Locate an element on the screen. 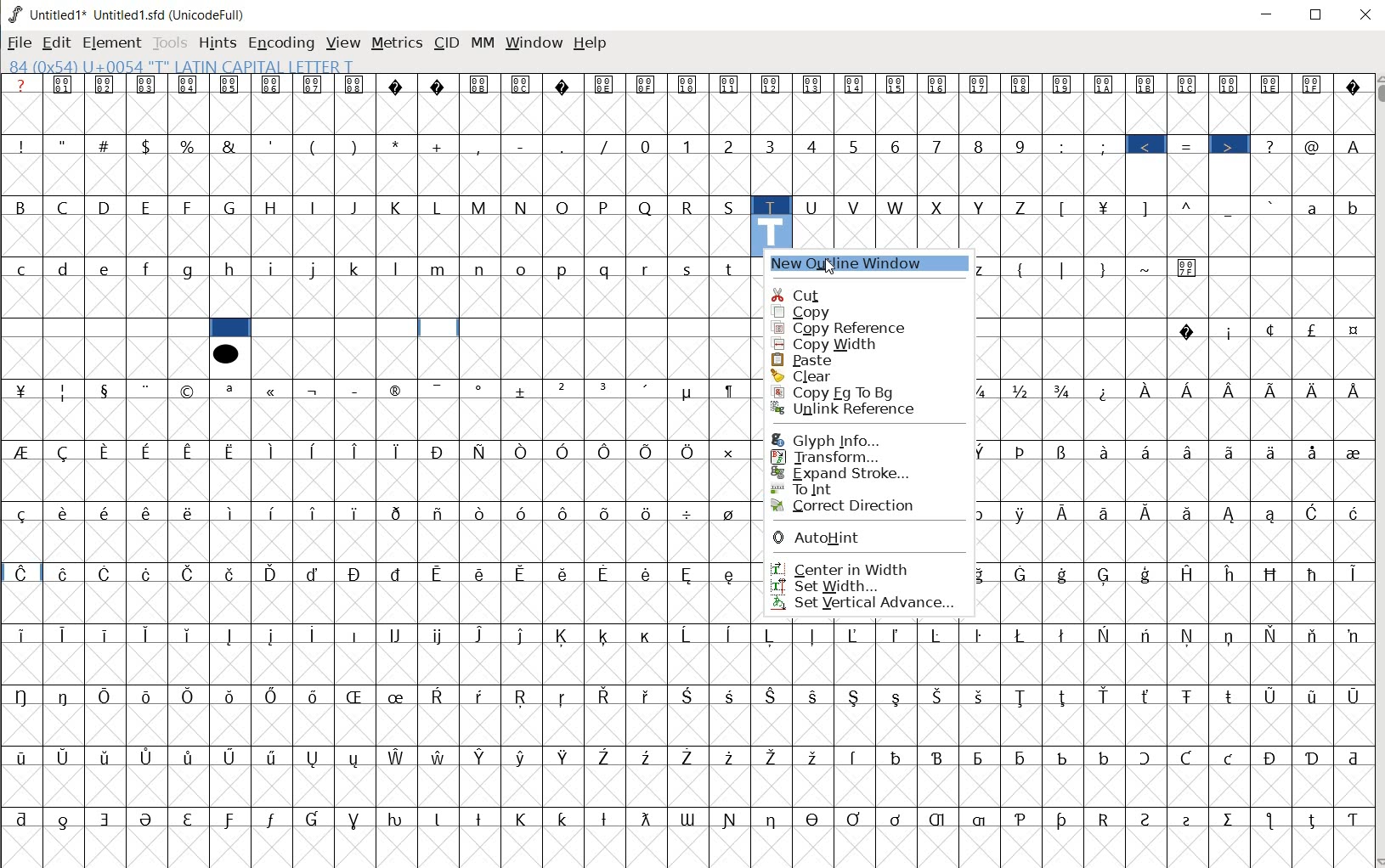 This screenshot has height=868, width=1385. Symbol is located at coordinates (483, 635).